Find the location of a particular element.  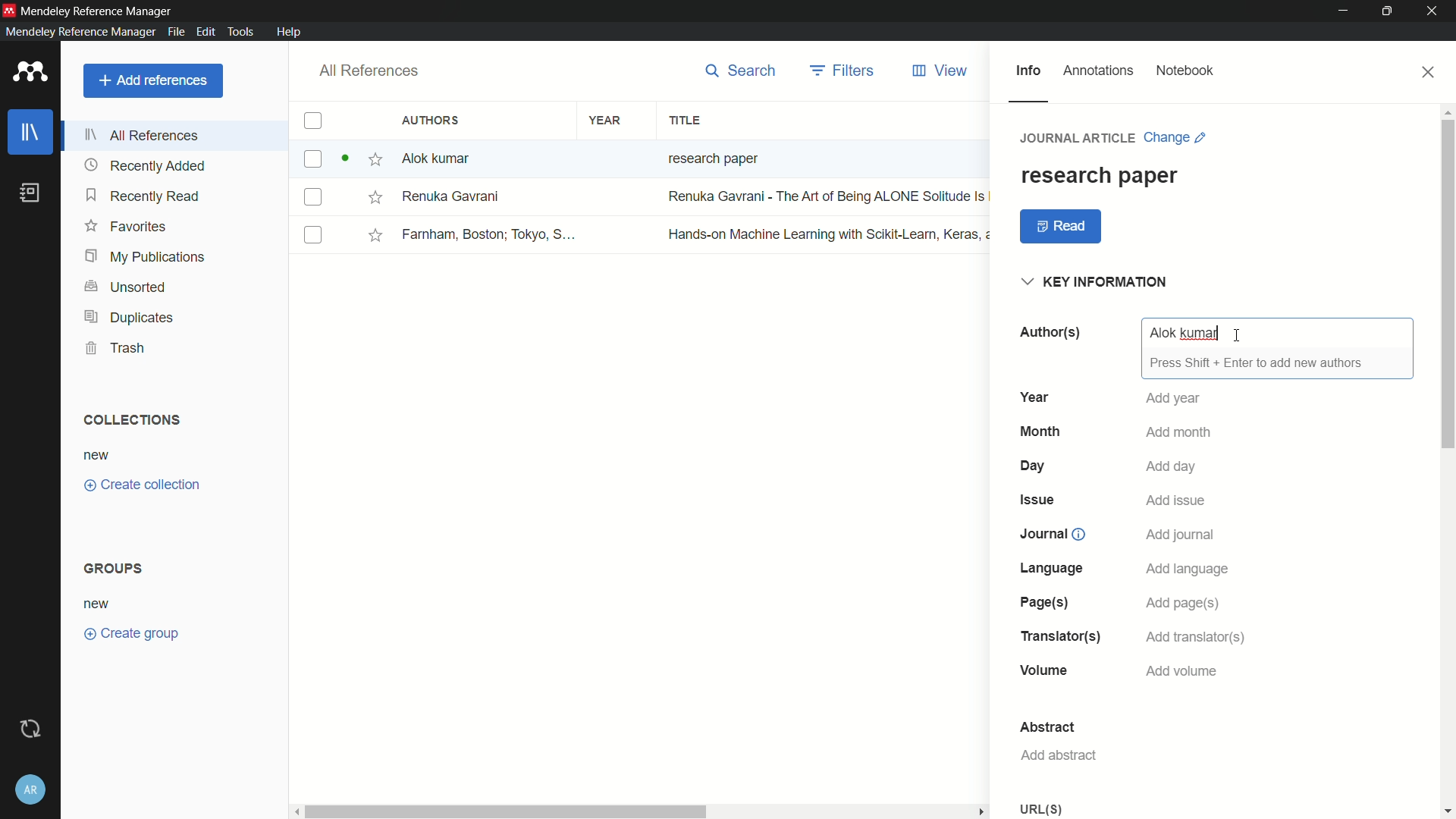

sync is located at coordinates (33, 729).